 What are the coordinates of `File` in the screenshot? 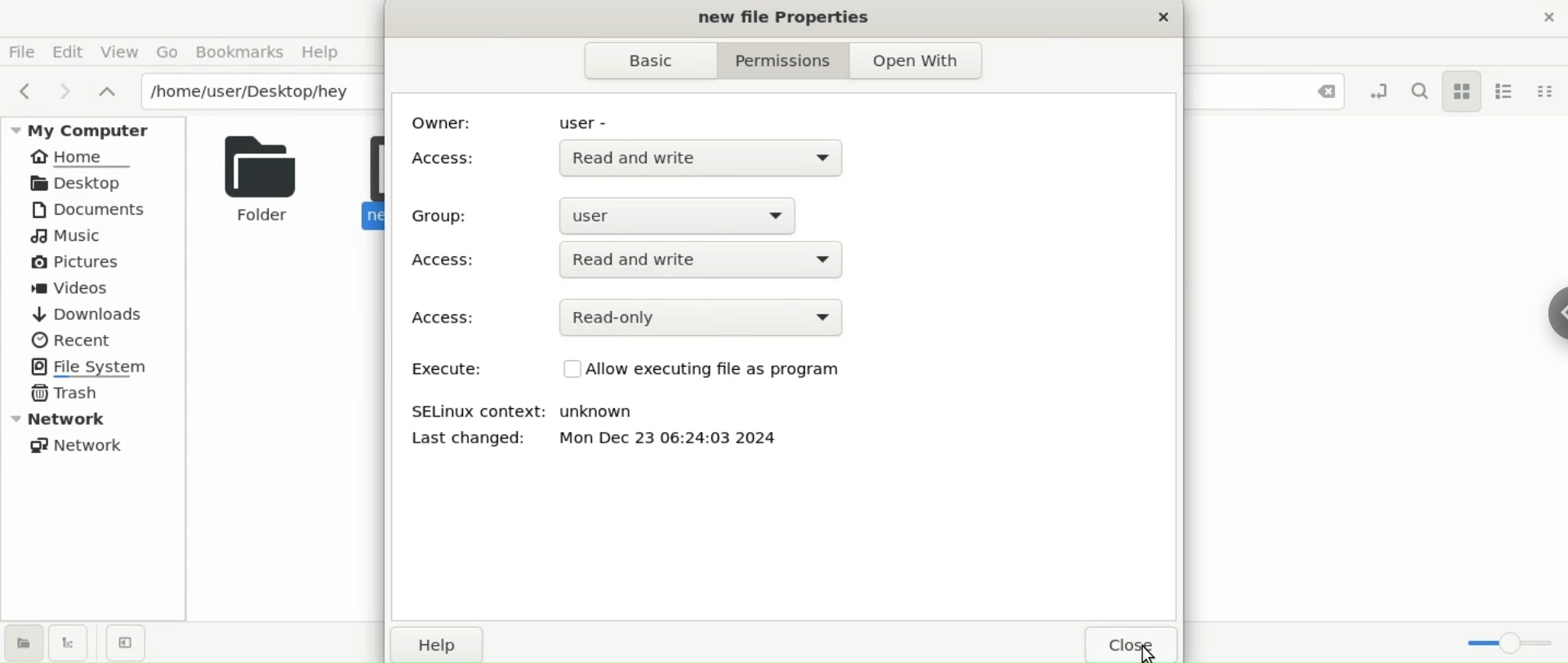 It's located at (20, 52).